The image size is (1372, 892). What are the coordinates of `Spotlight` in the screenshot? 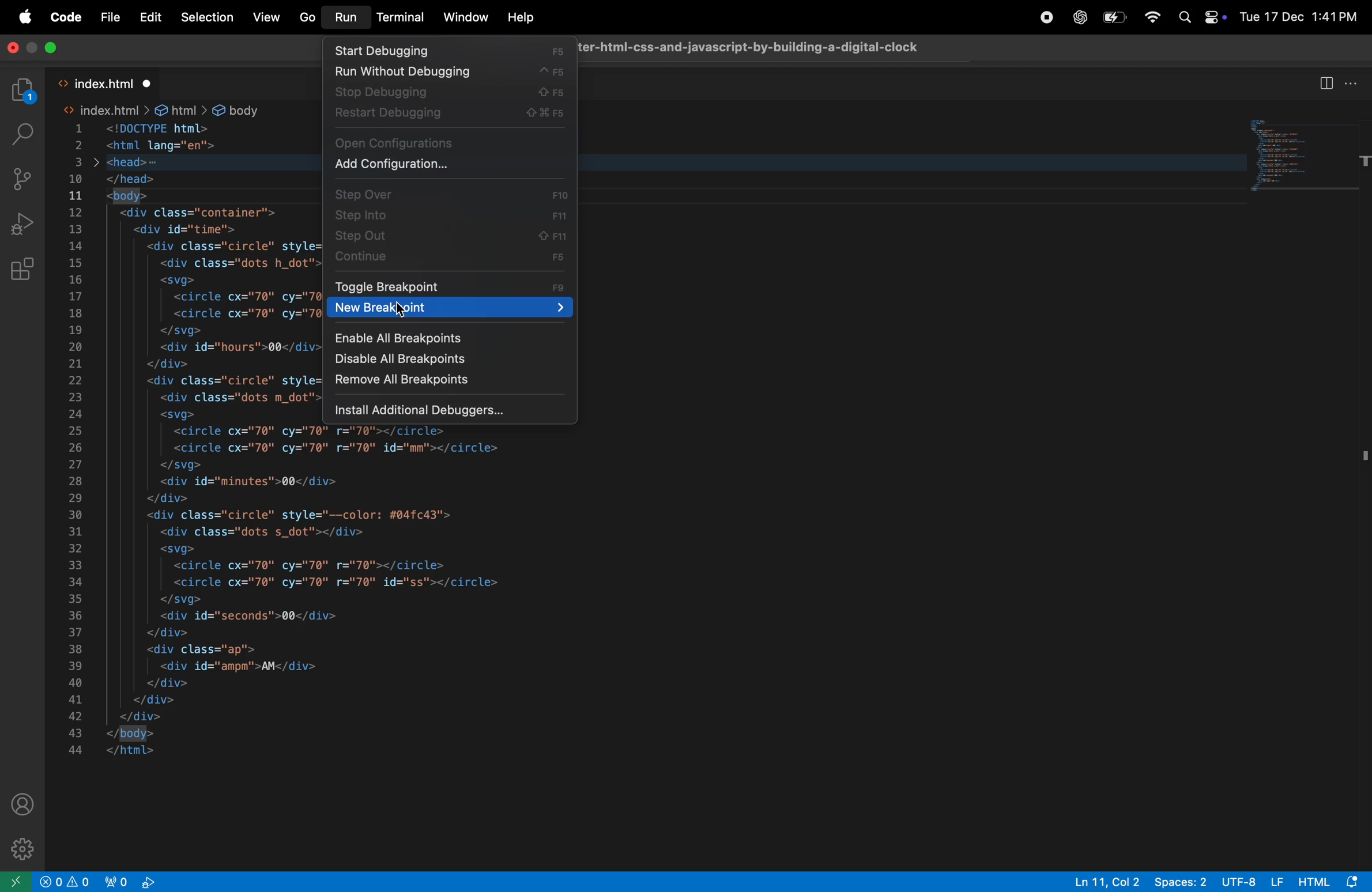 It's located at (1183, 17).